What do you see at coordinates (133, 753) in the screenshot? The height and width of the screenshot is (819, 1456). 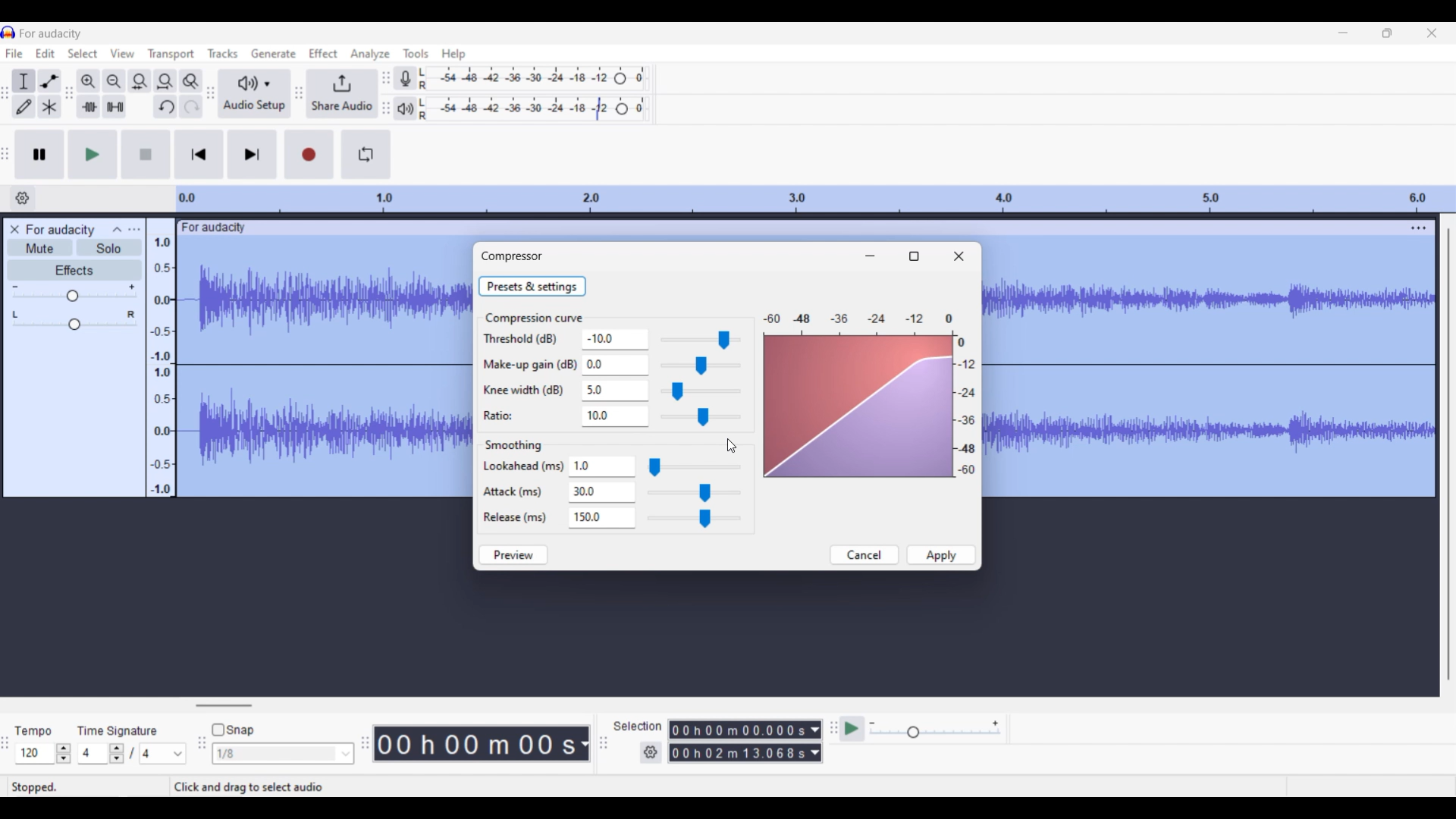 I see `Time signature settings` at bounding box center [133, 753].